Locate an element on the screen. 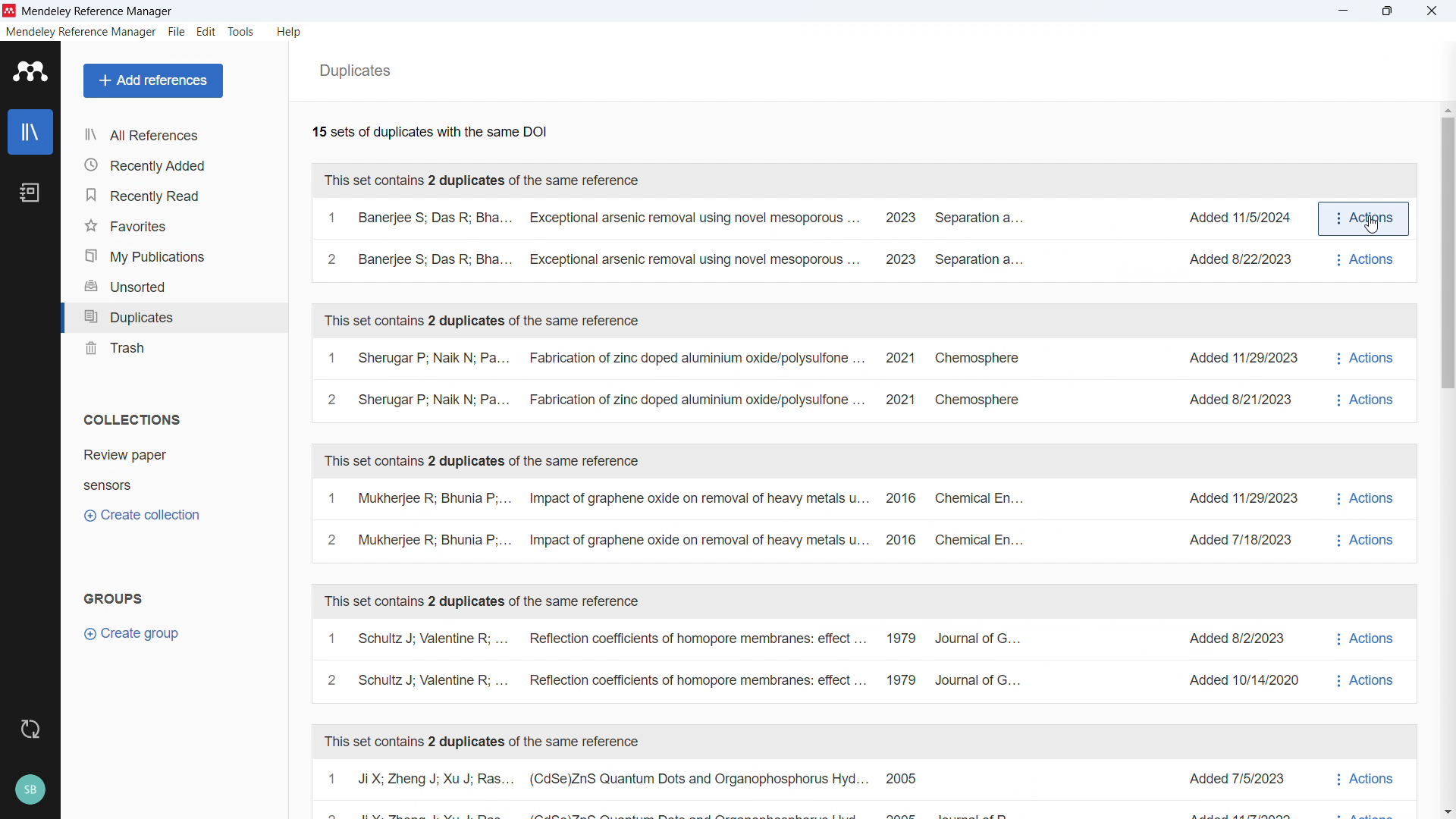 This screenshot has height=819, width=1456. minimise  is located at coordinates (1344, 11).